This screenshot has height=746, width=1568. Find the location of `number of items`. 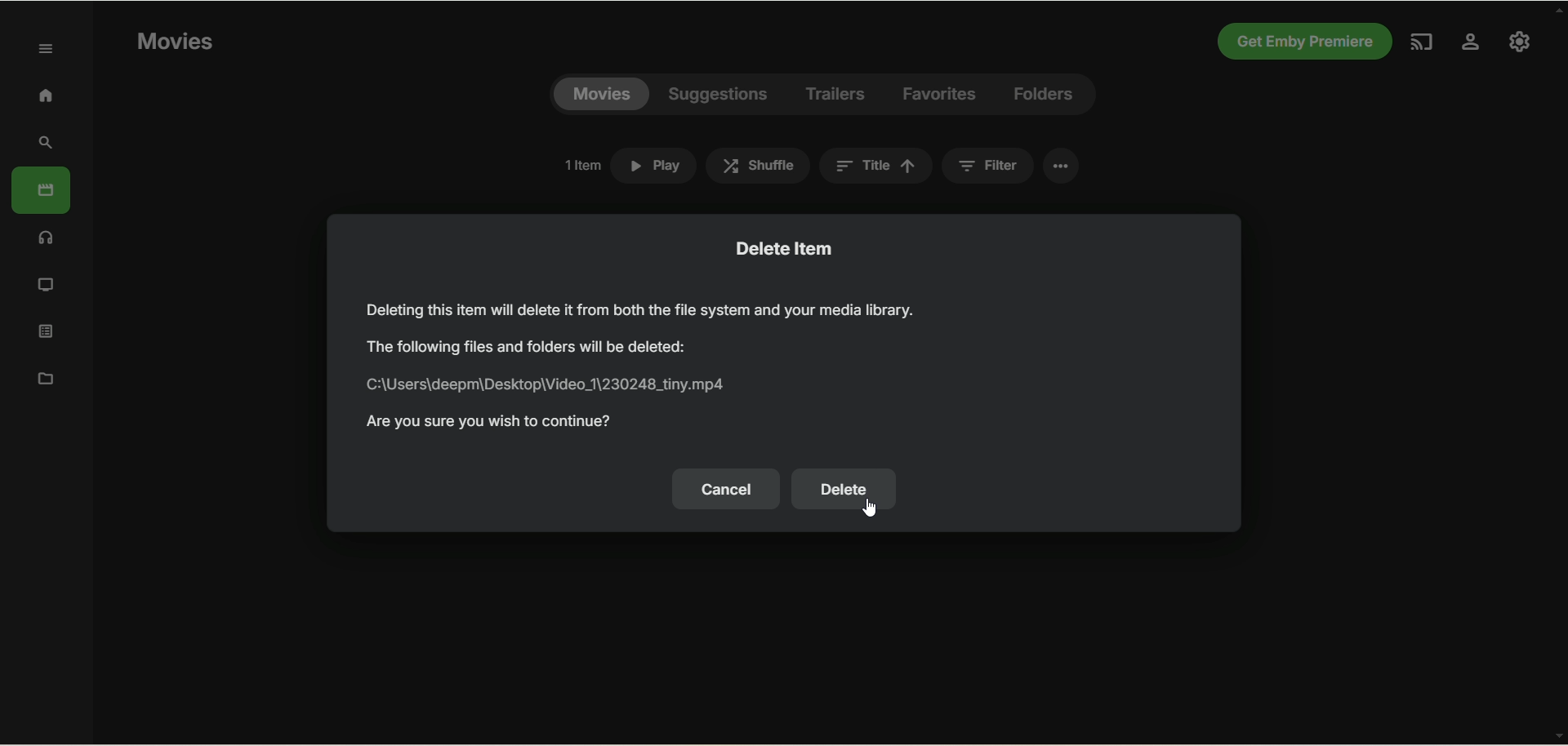

number of items is located at coordinates (581, 165).